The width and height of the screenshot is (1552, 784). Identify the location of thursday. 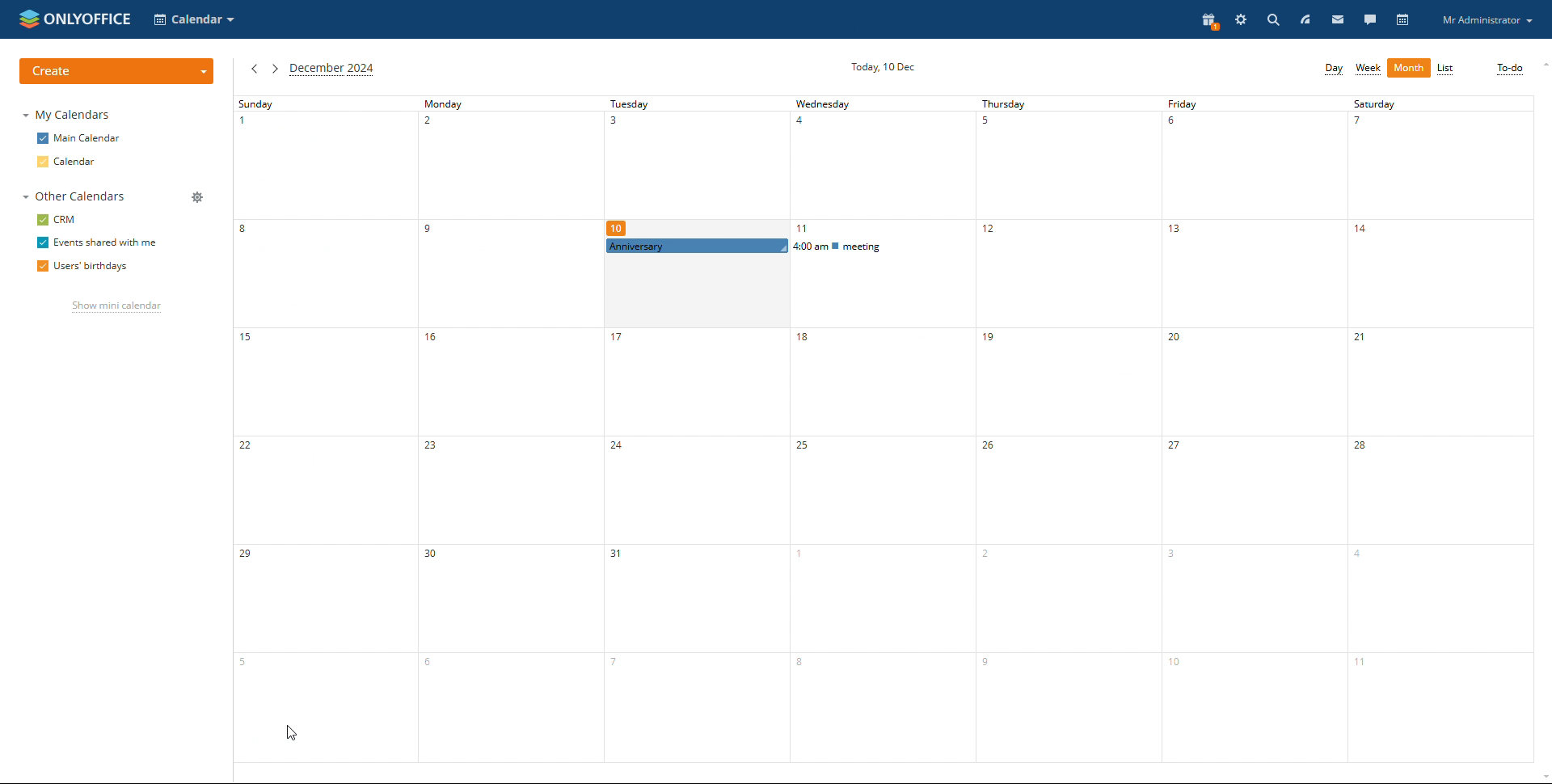
(1067, 430).